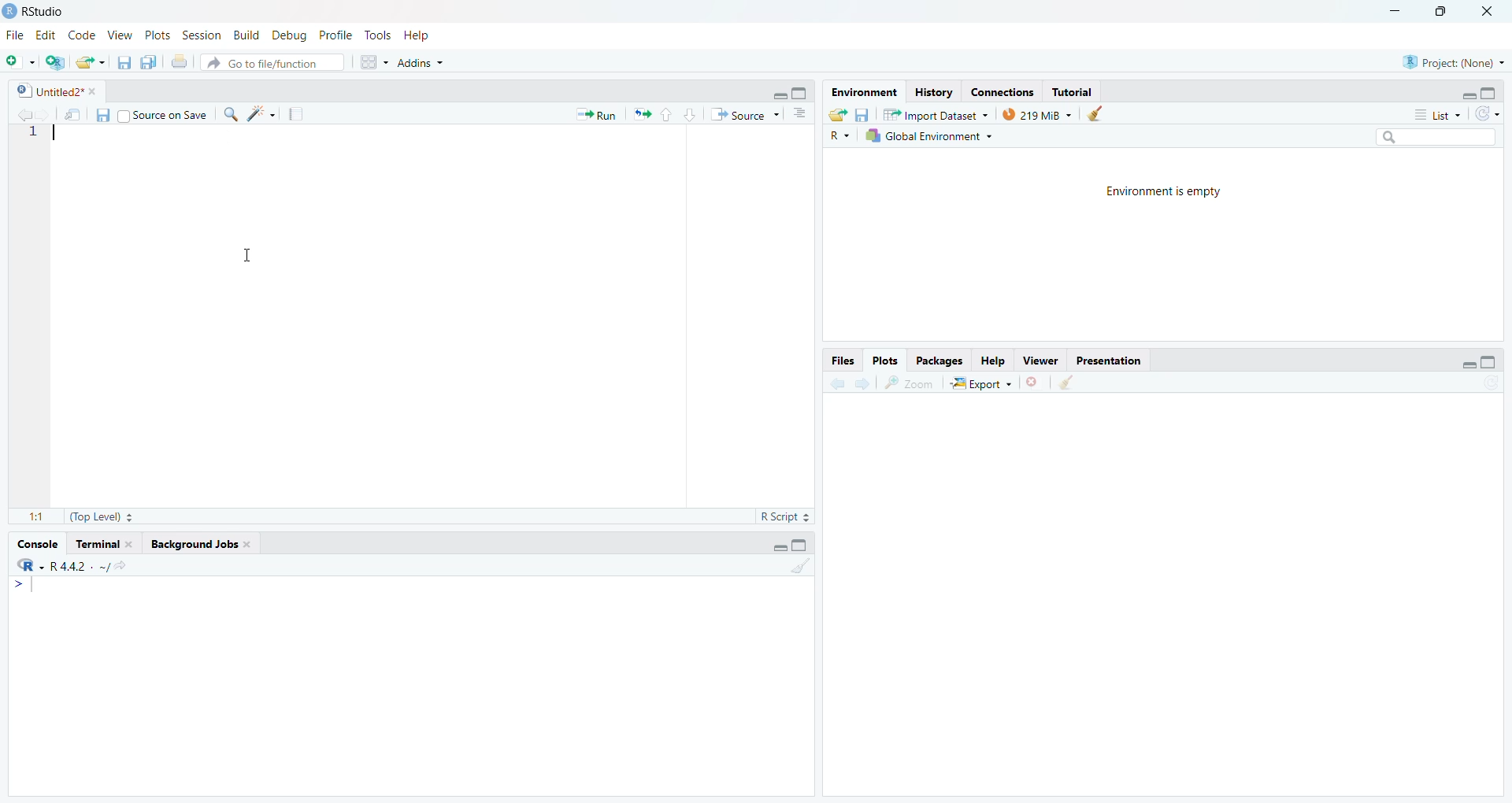 The height and width of the screenshot is (803, 1512). Describe the element at coordinates (1100, 113) in the screenshot. I see `Clear` at that location.